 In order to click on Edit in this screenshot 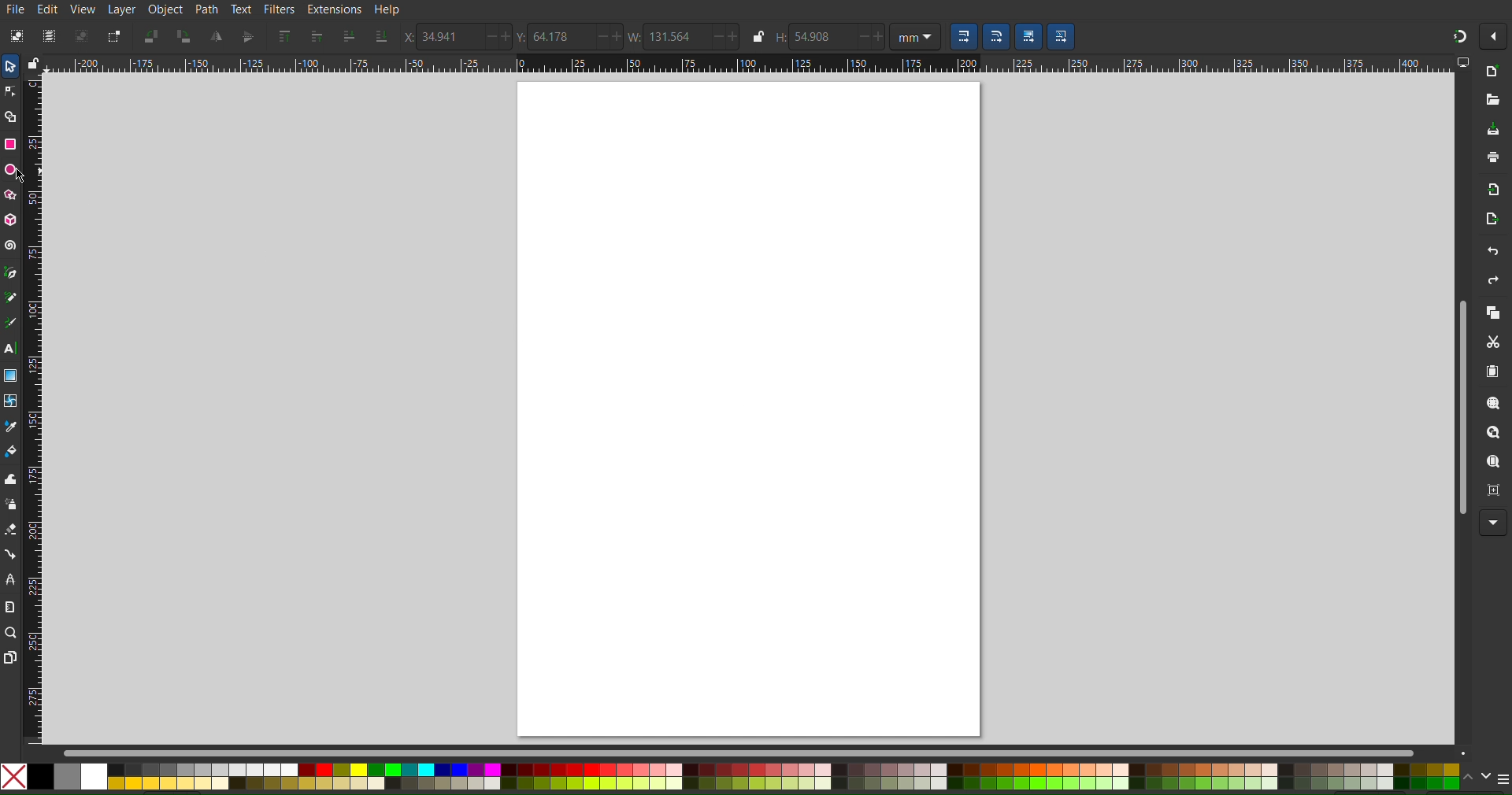, I will do `click(48, 9)`.